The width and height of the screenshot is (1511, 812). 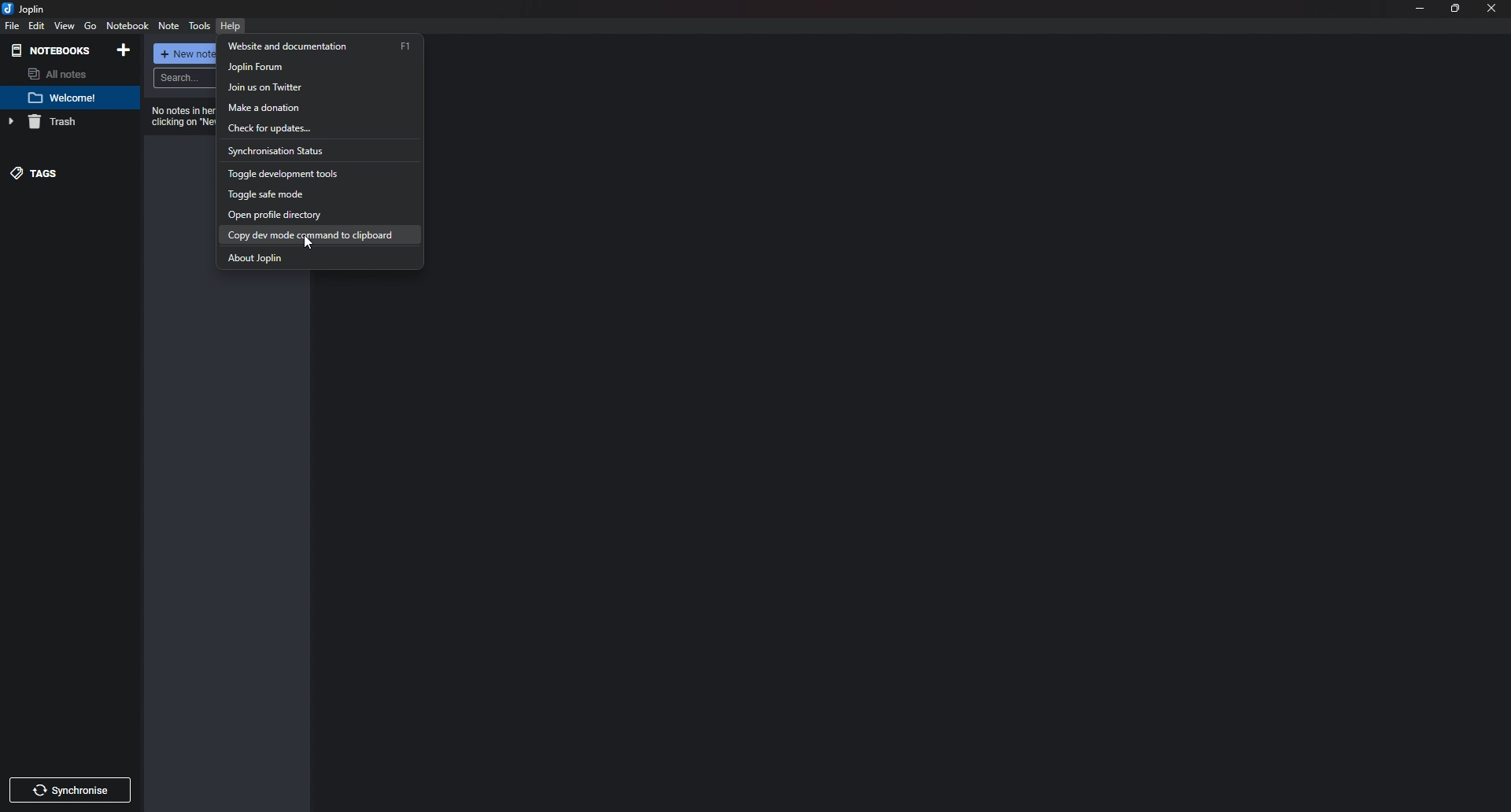 I want to click on Synchronization status, so click(x=316, y=153).